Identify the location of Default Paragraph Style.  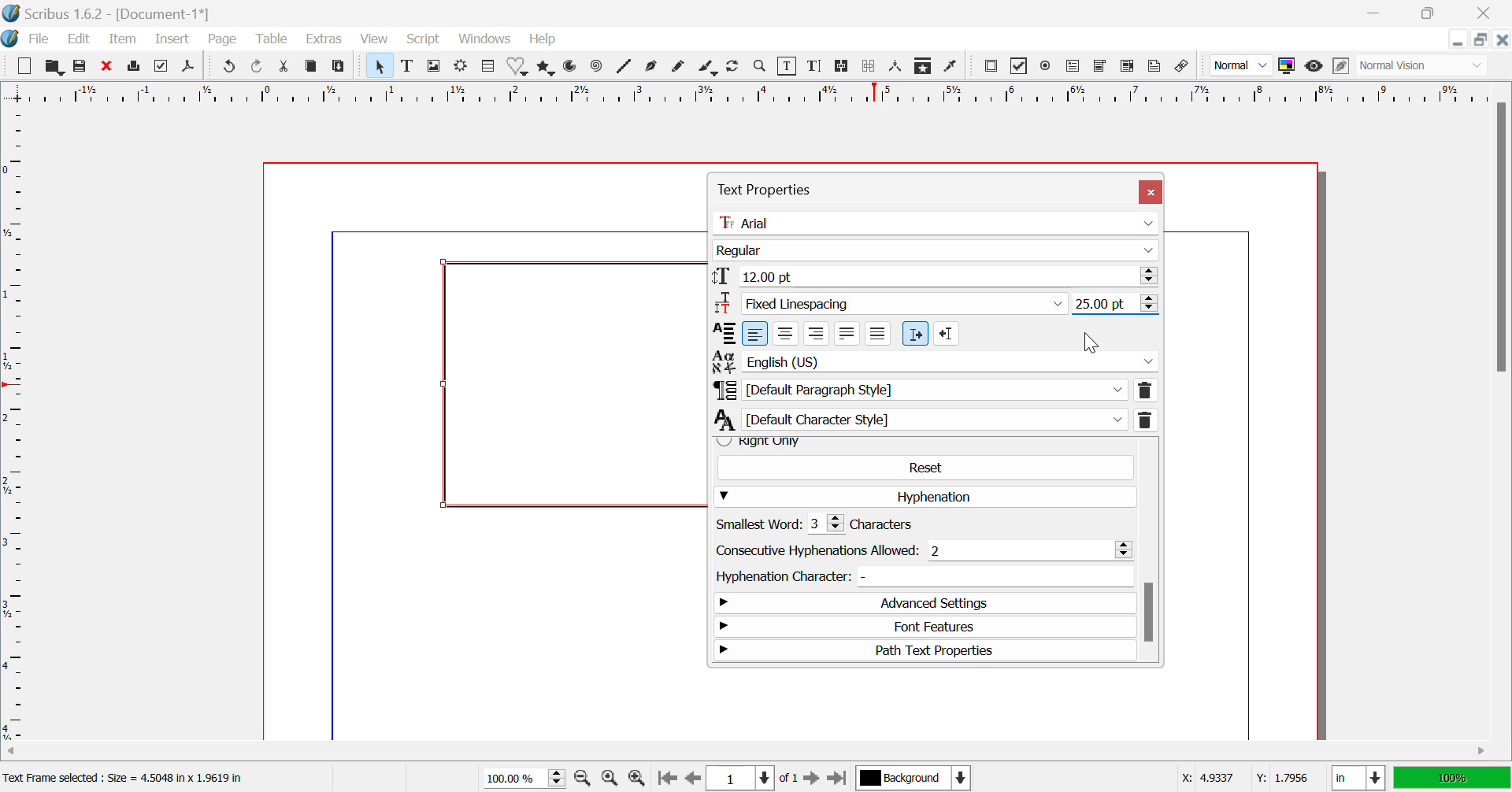
(935, 390).